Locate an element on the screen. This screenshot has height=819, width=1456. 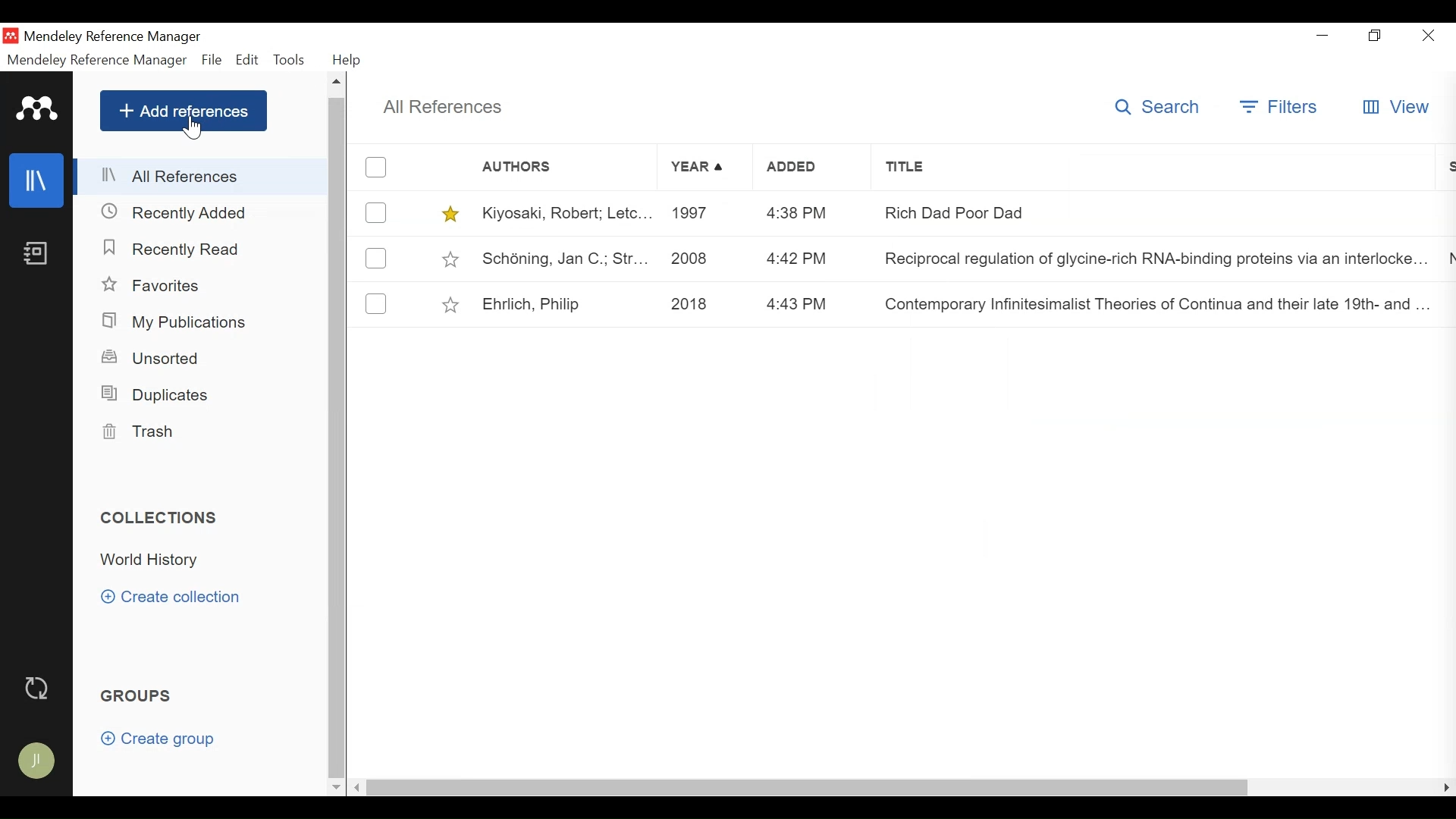
2008 is located at coordinates (703, 259).